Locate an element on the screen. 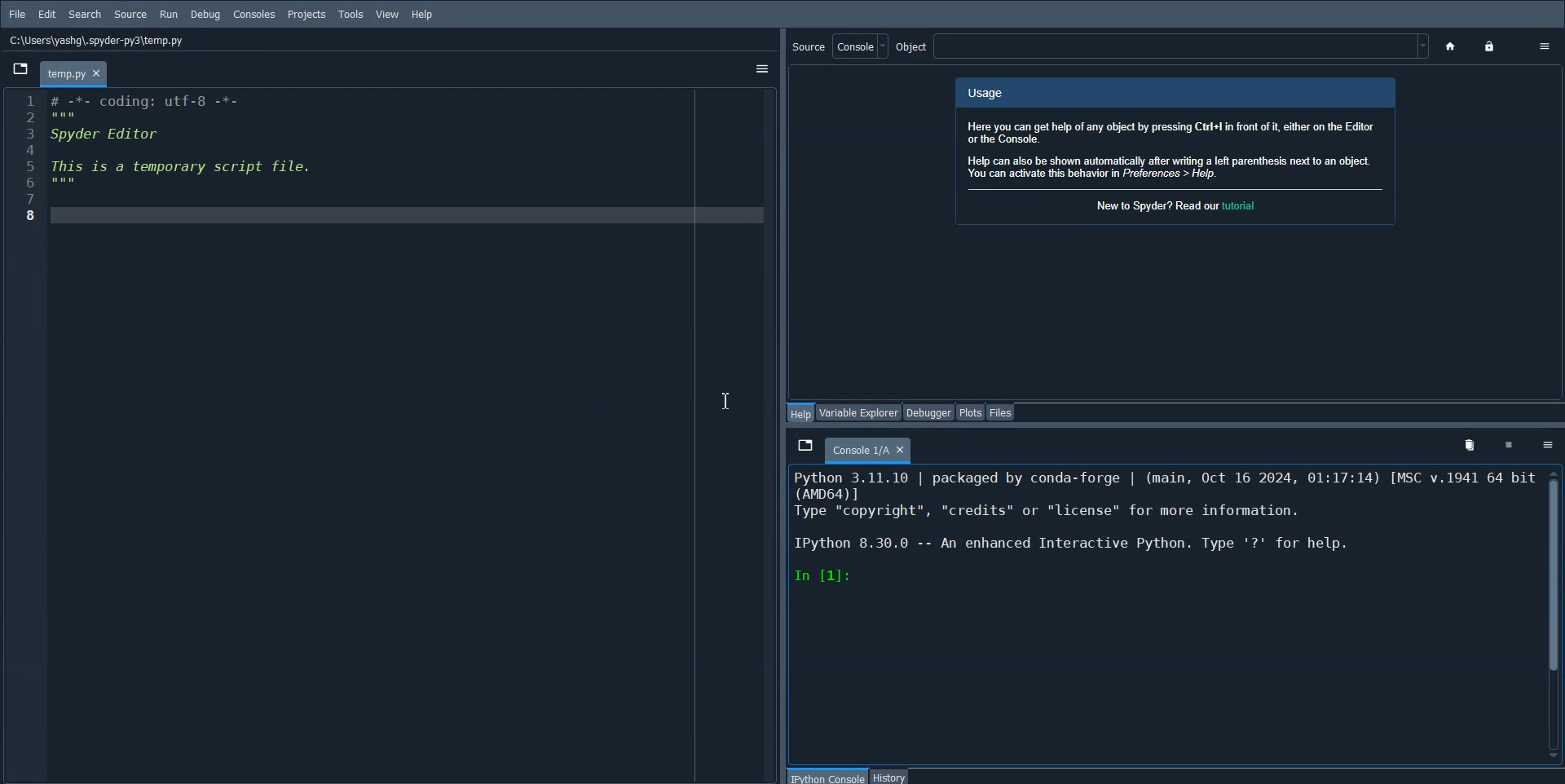 The height and width of the screenshot is (784, 1565). History is located at coordinates (891, 776).